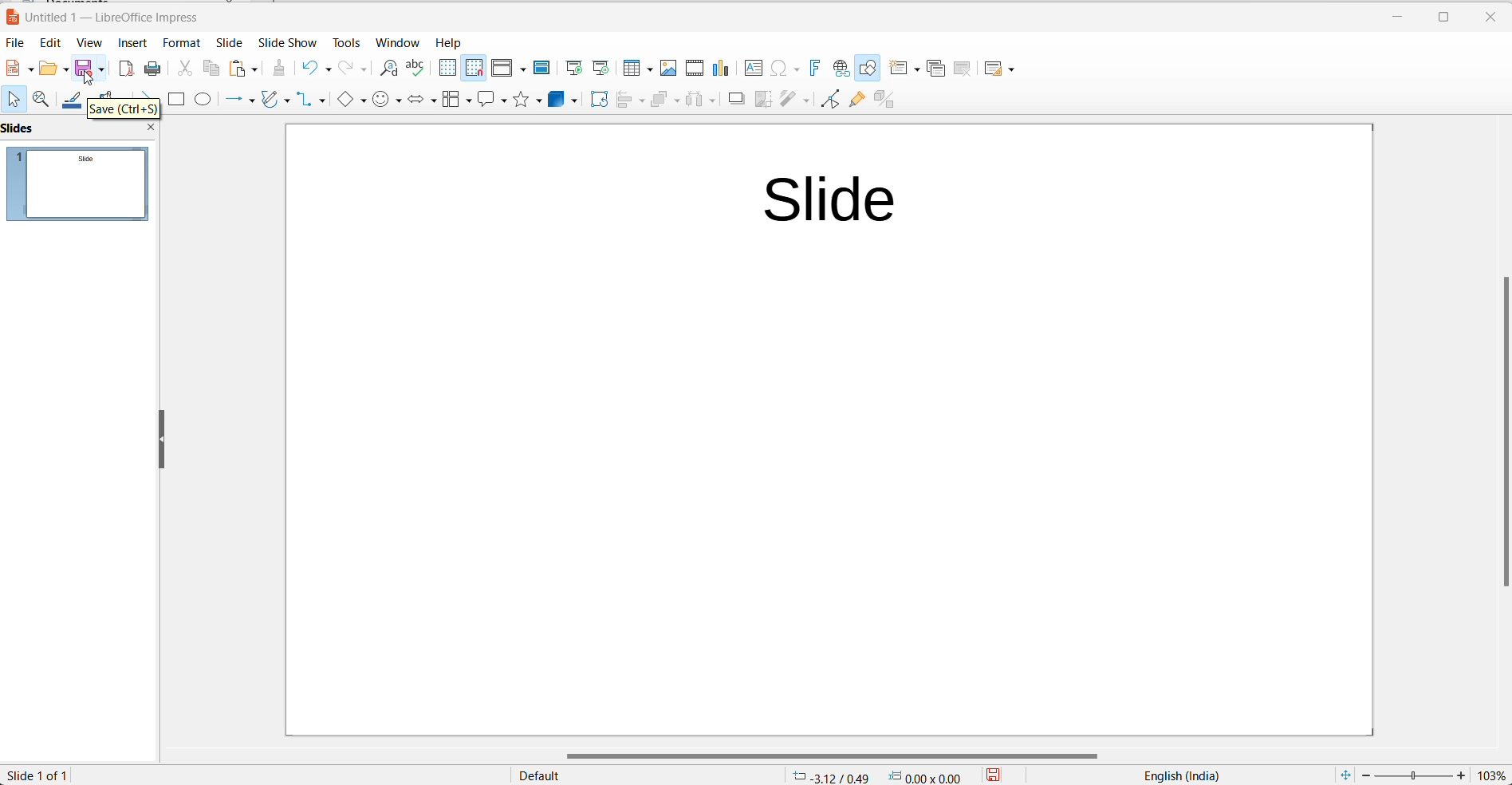  Describe the element at coordinates (636, 69) in the screenshot. I see `insert table` at that location.